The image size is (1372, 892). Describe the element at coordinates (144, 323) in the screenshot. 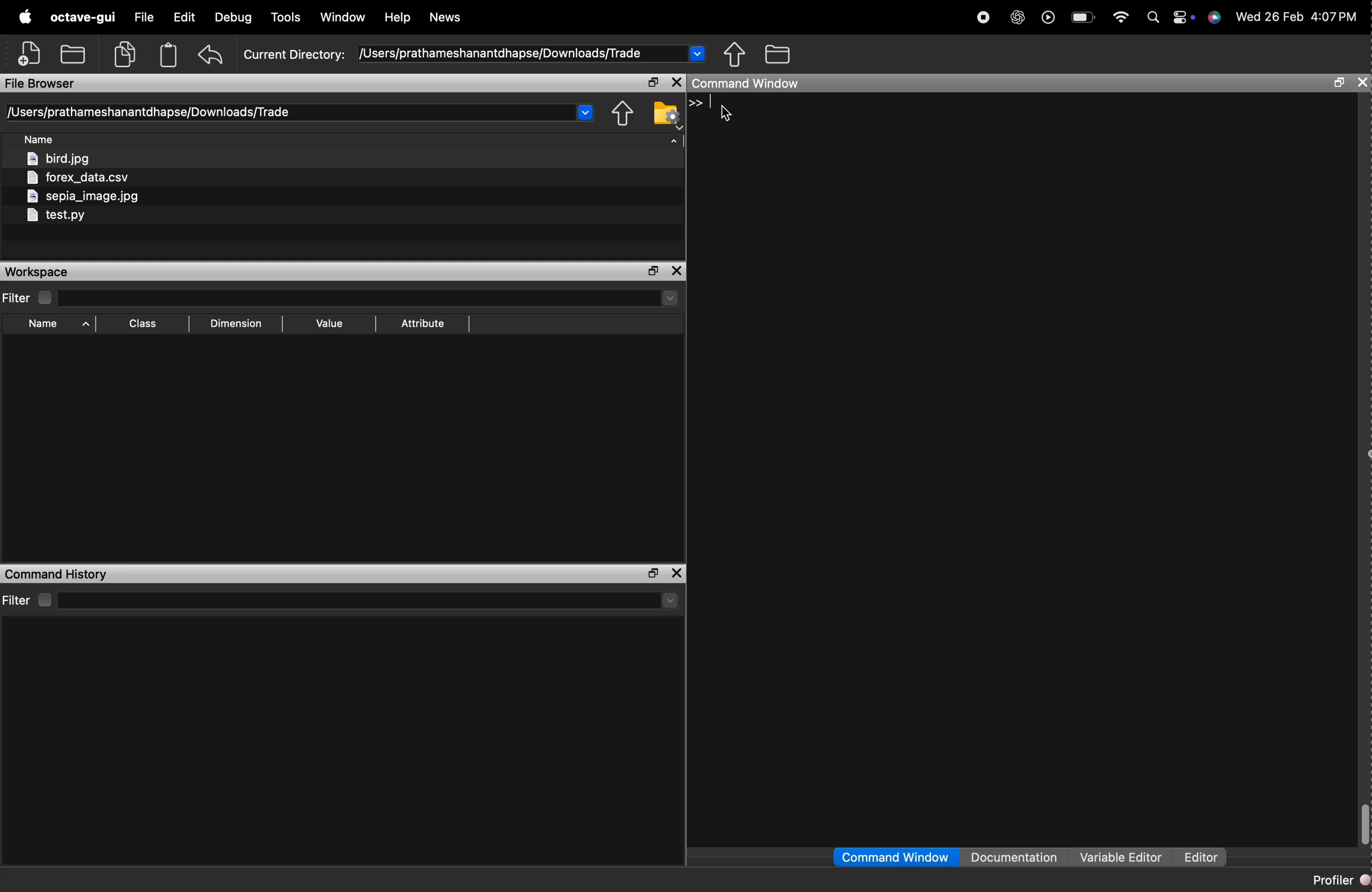

I see `Class` at that location.